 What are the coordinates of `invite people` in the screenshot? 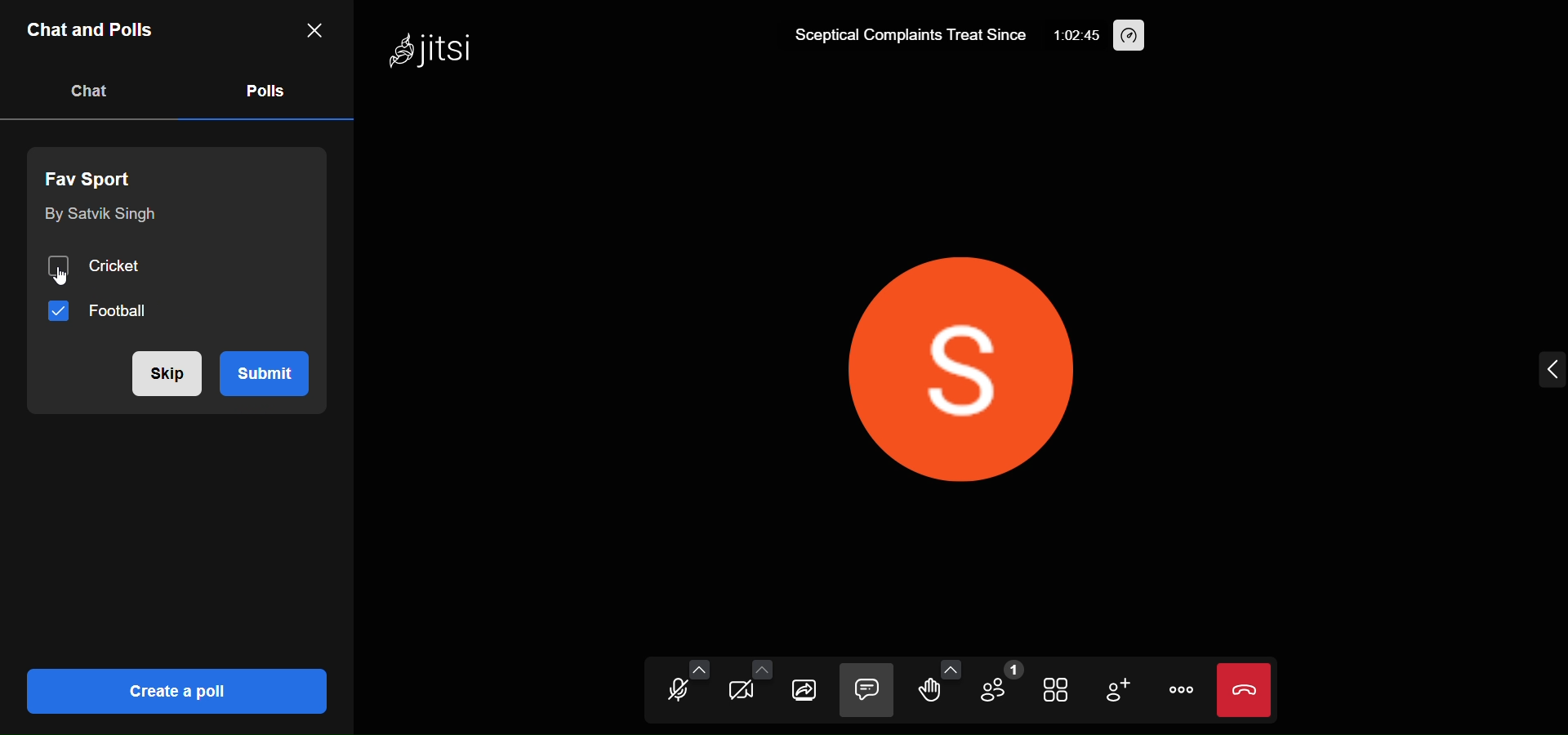 It's located at (1117, 691).